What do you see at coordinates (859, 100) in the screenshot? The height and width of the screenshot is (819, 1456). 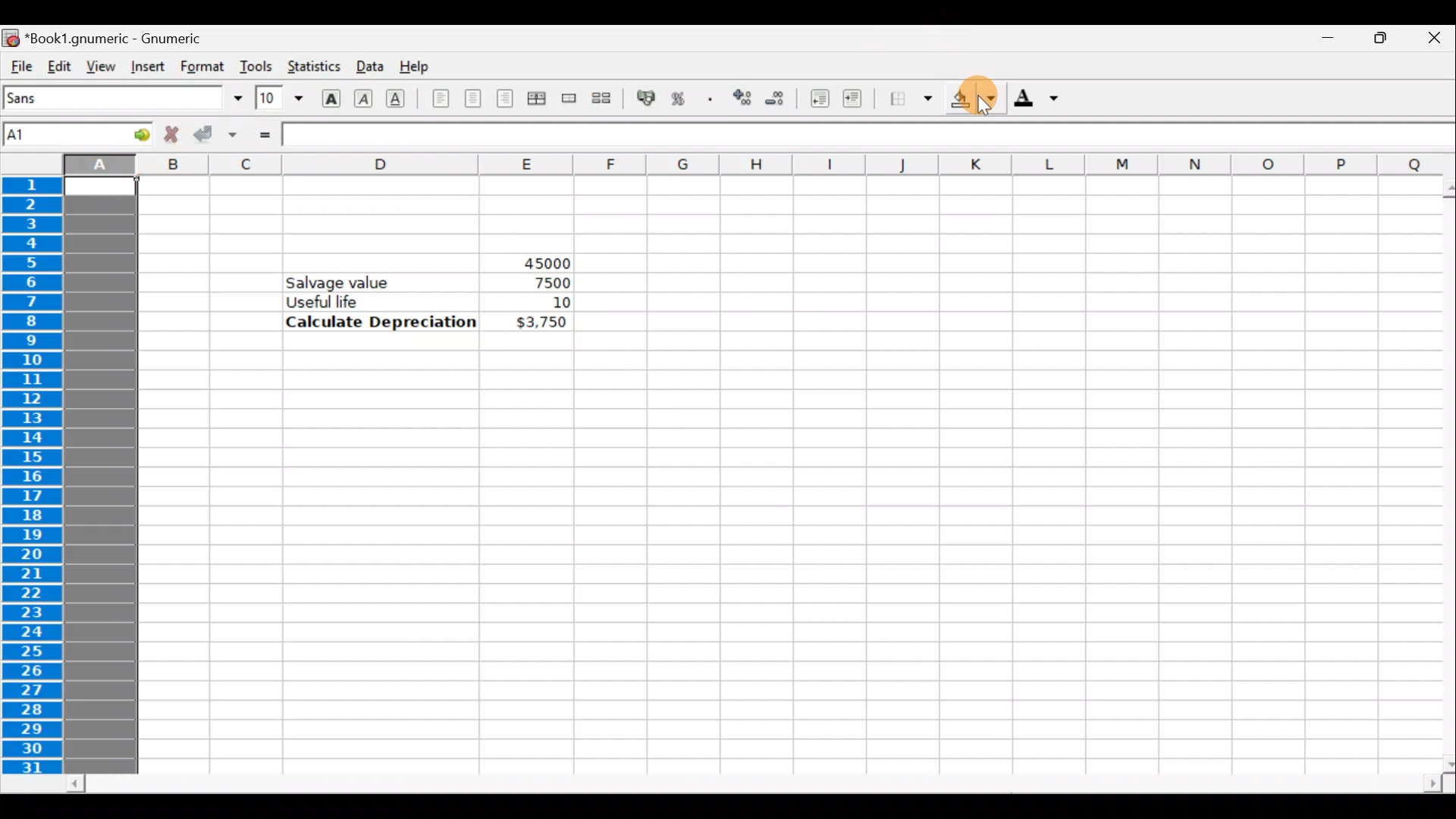 I see `Increase indent, align contents to the left` at bounding box center [859, 100].